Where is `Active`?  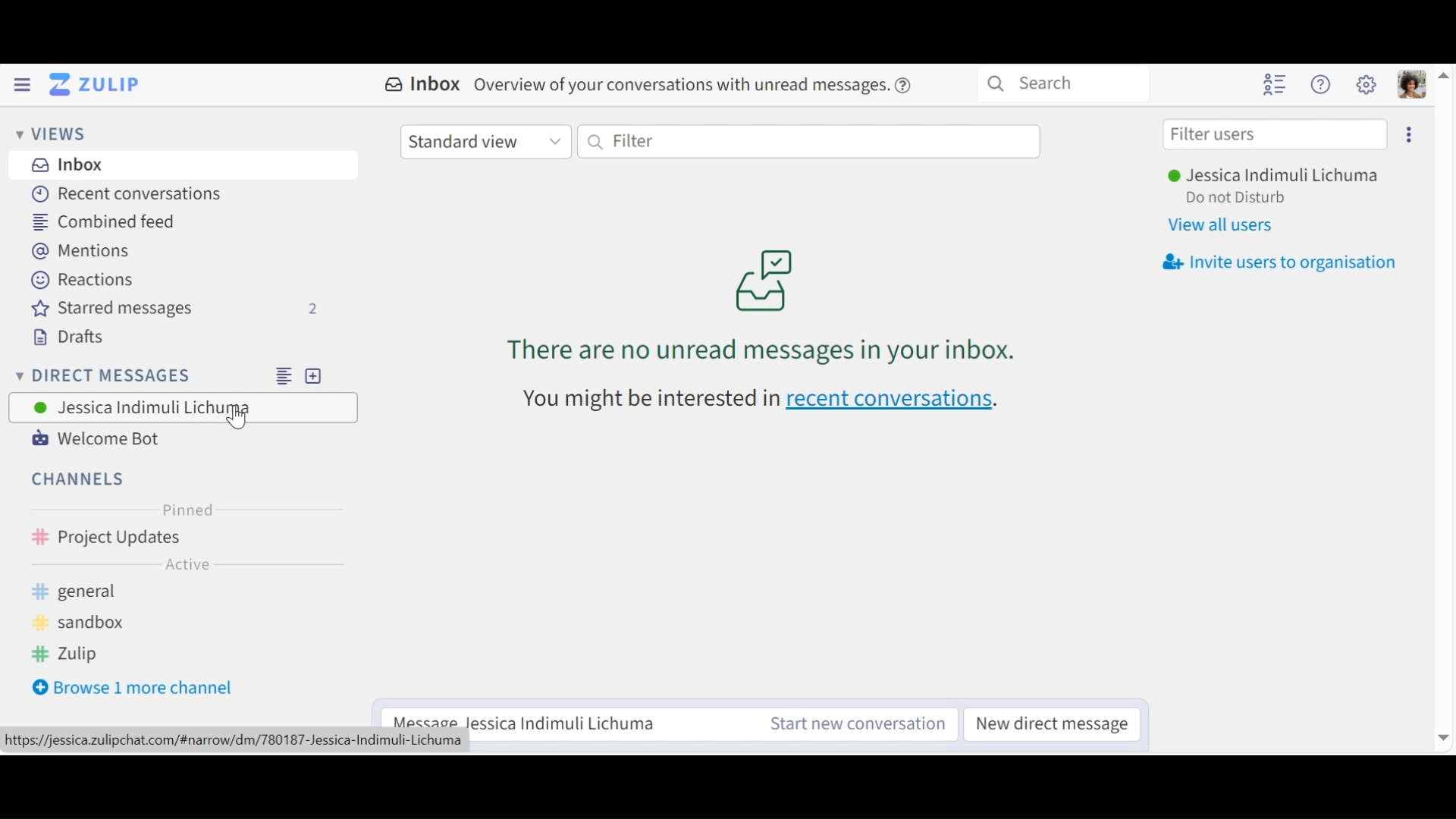 Active is located at coordinates (186, 567).